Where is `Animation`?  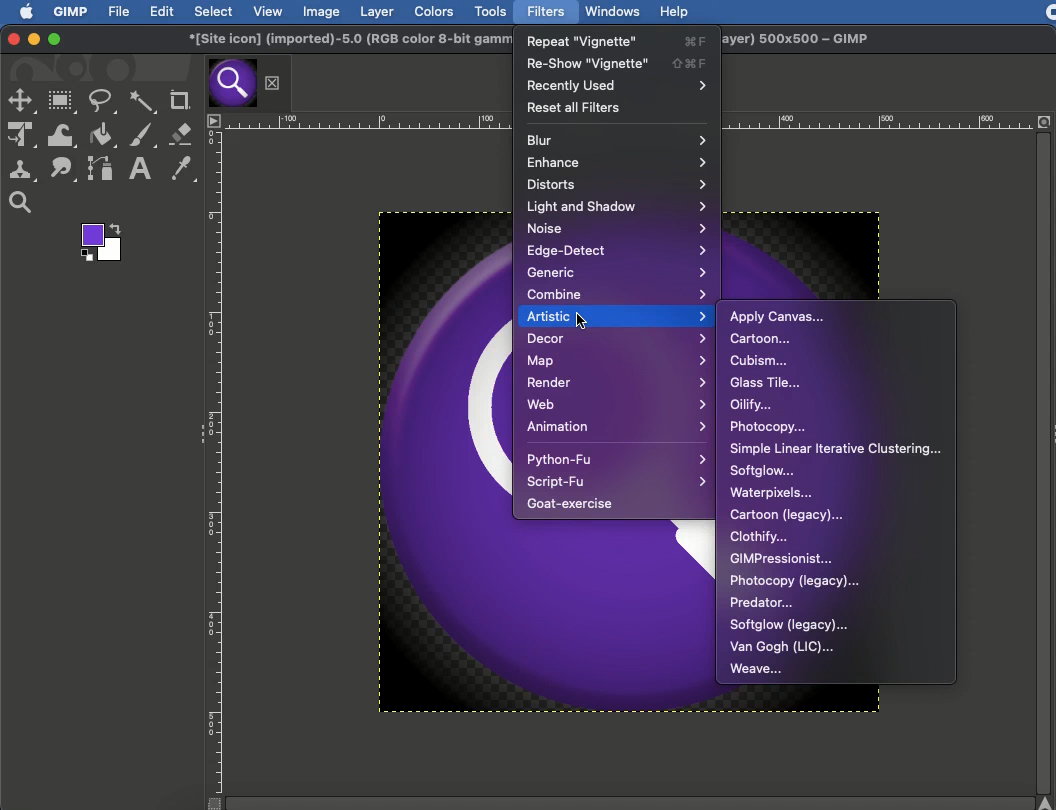
Animation is located at coordinates (614, 426).